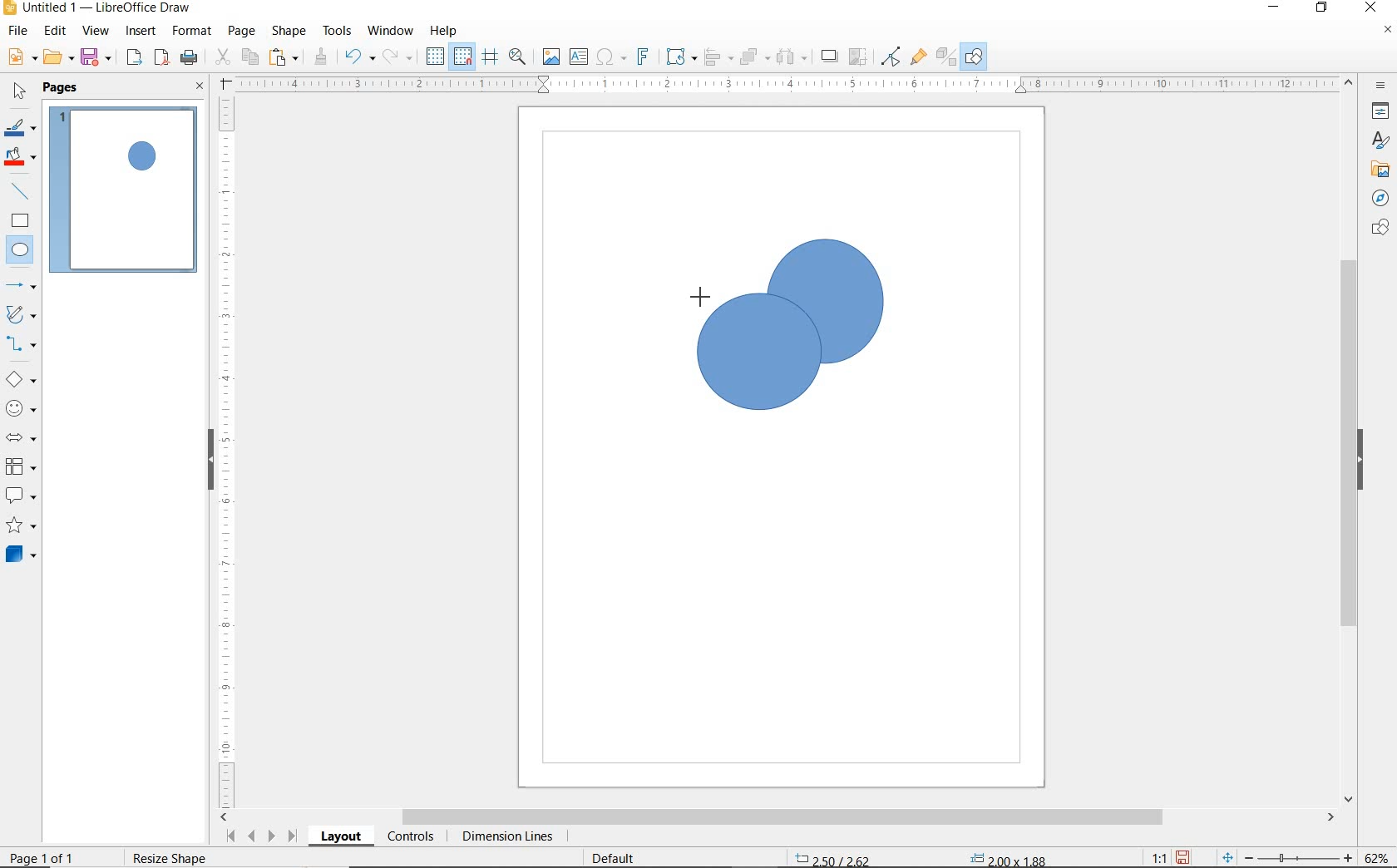 This screenshot has height=868, width=1397. What do you see at coordinates (462, 57) in the screenshot?
I see `SNAP TO GRID` at bounding box center [462, 57].